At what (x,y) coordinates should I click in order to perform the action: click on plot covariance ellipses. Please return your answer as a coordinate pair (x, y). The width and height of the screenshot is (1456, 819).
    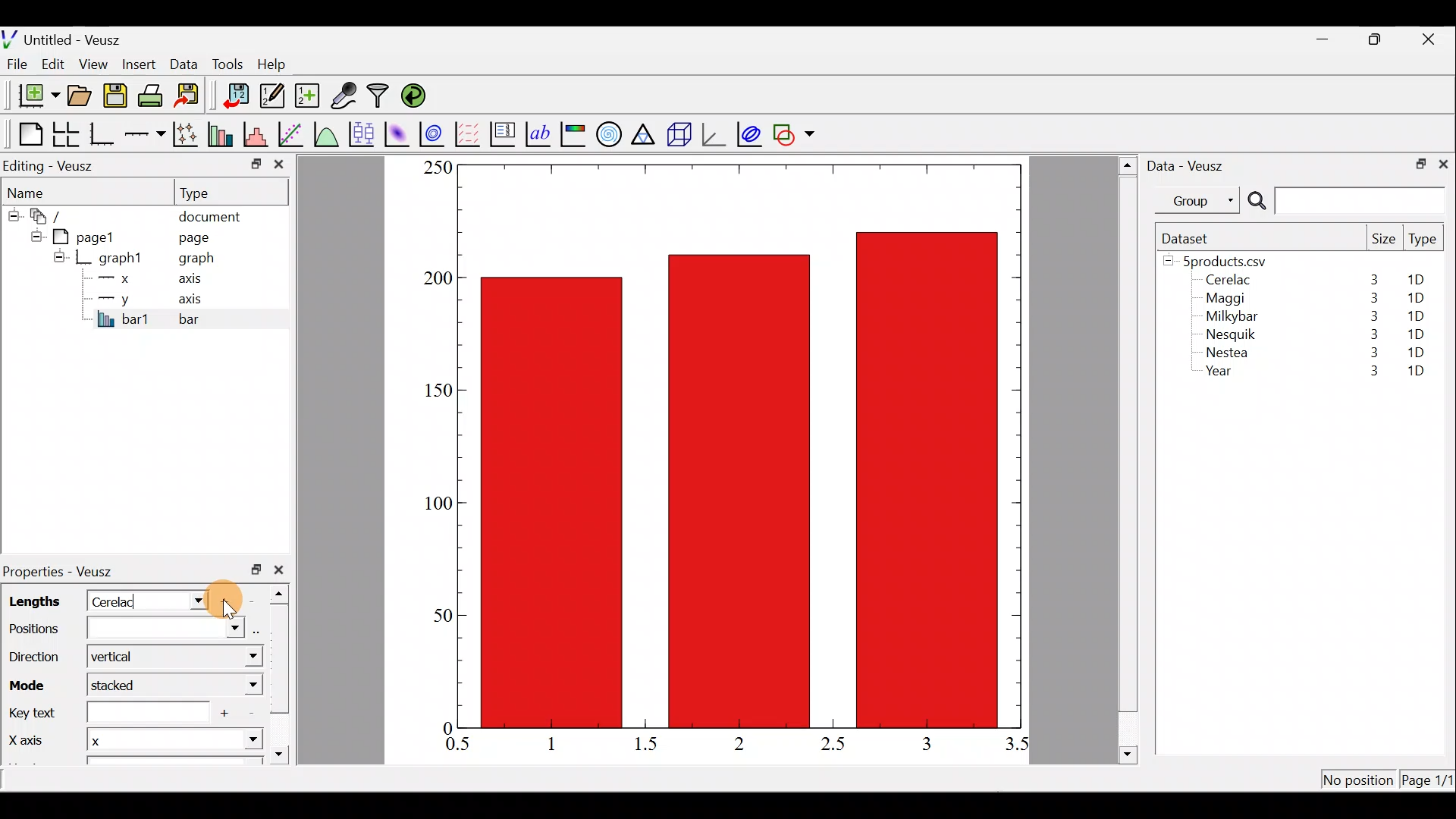
    Looking at the image, I should click on (751, 133).